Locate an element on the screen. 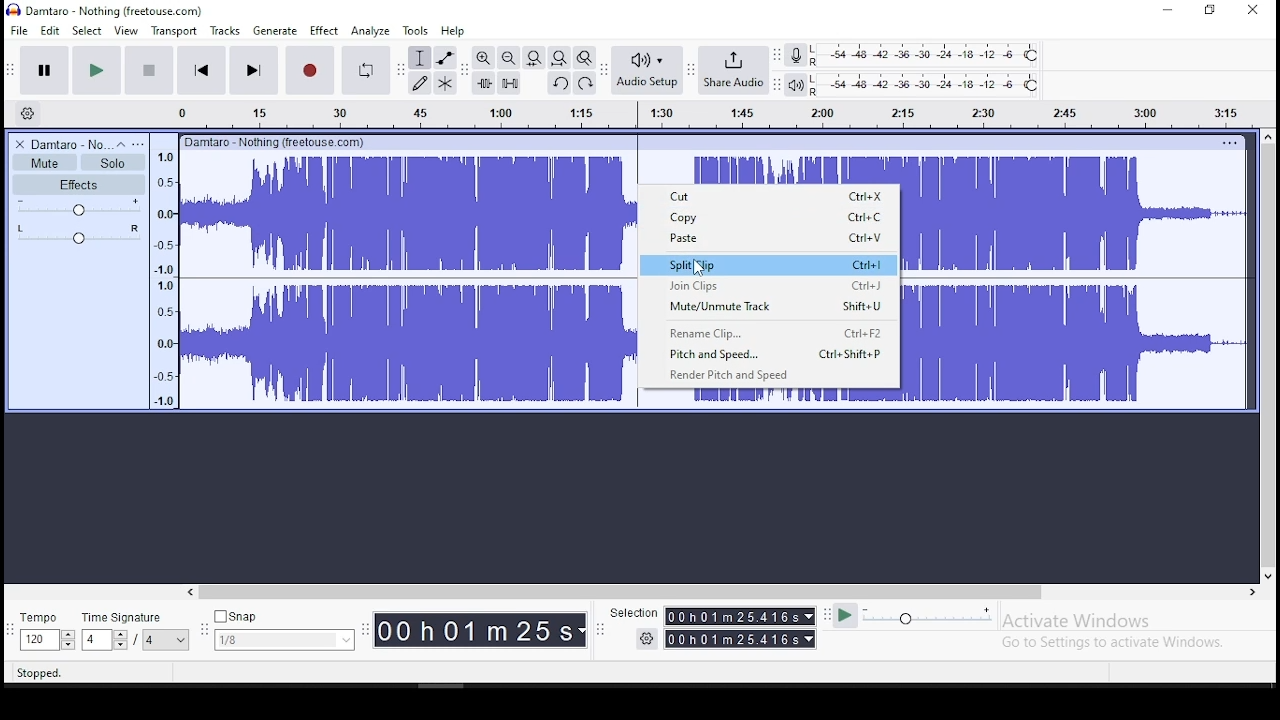 The width and height of the screenshot is (1280, 720). envelope tool is located at coordinates (445, 57).